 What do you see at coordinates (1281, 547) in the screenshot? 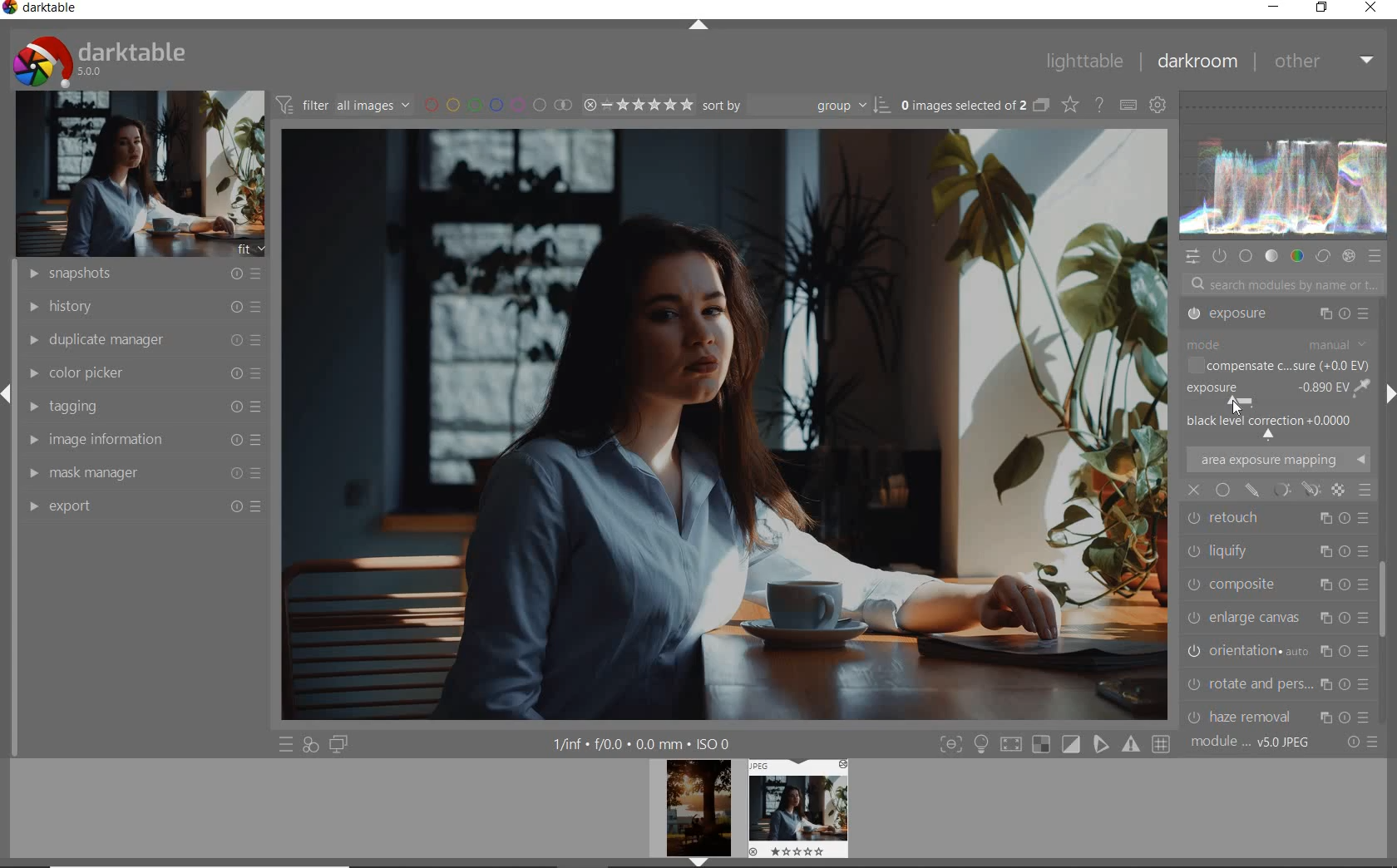
I see `ORIENTATION` at bounding box center [1281, 547].